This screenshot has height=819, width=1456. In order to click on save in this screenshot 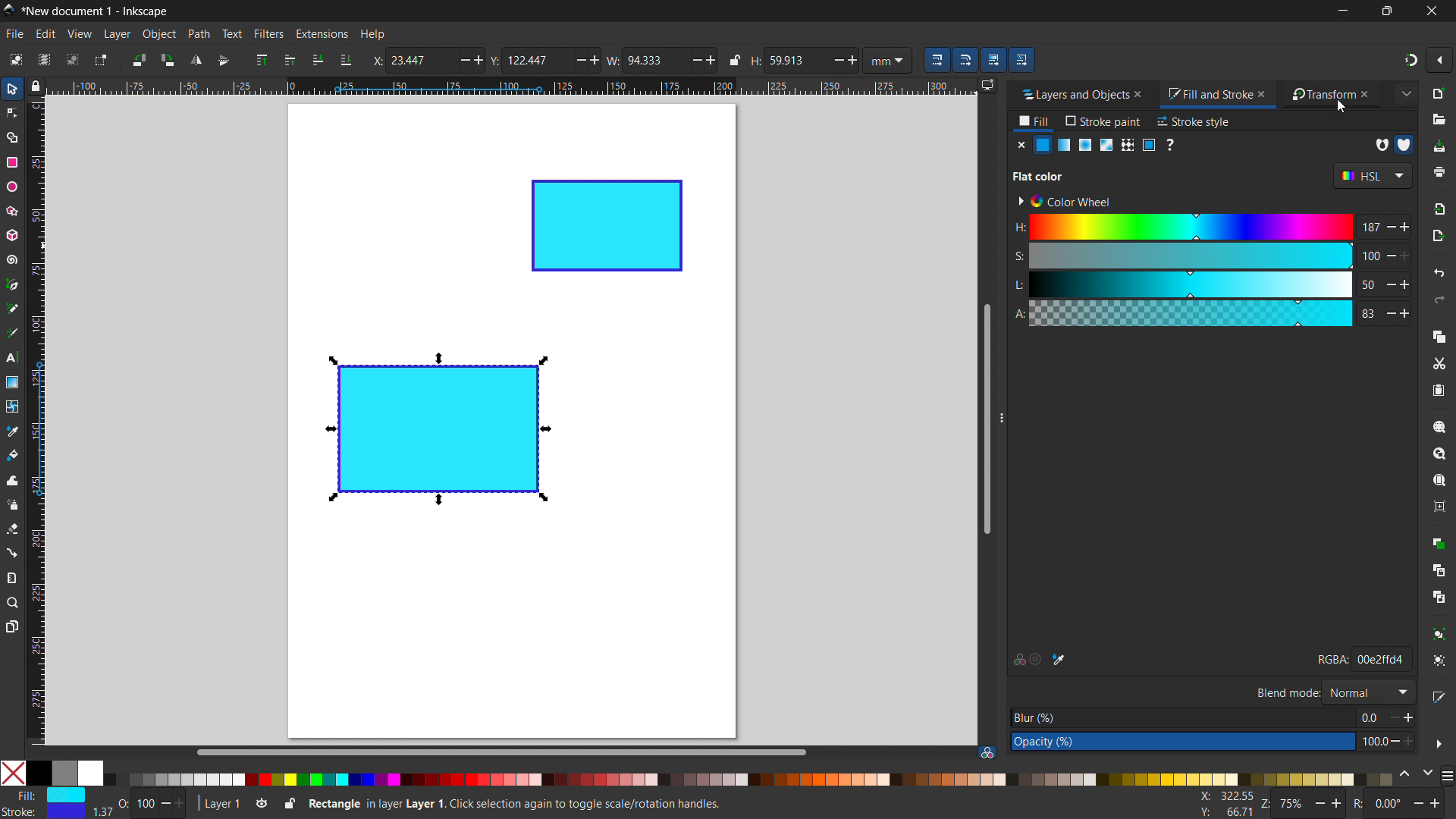, I will do `click(1439, 147)`.